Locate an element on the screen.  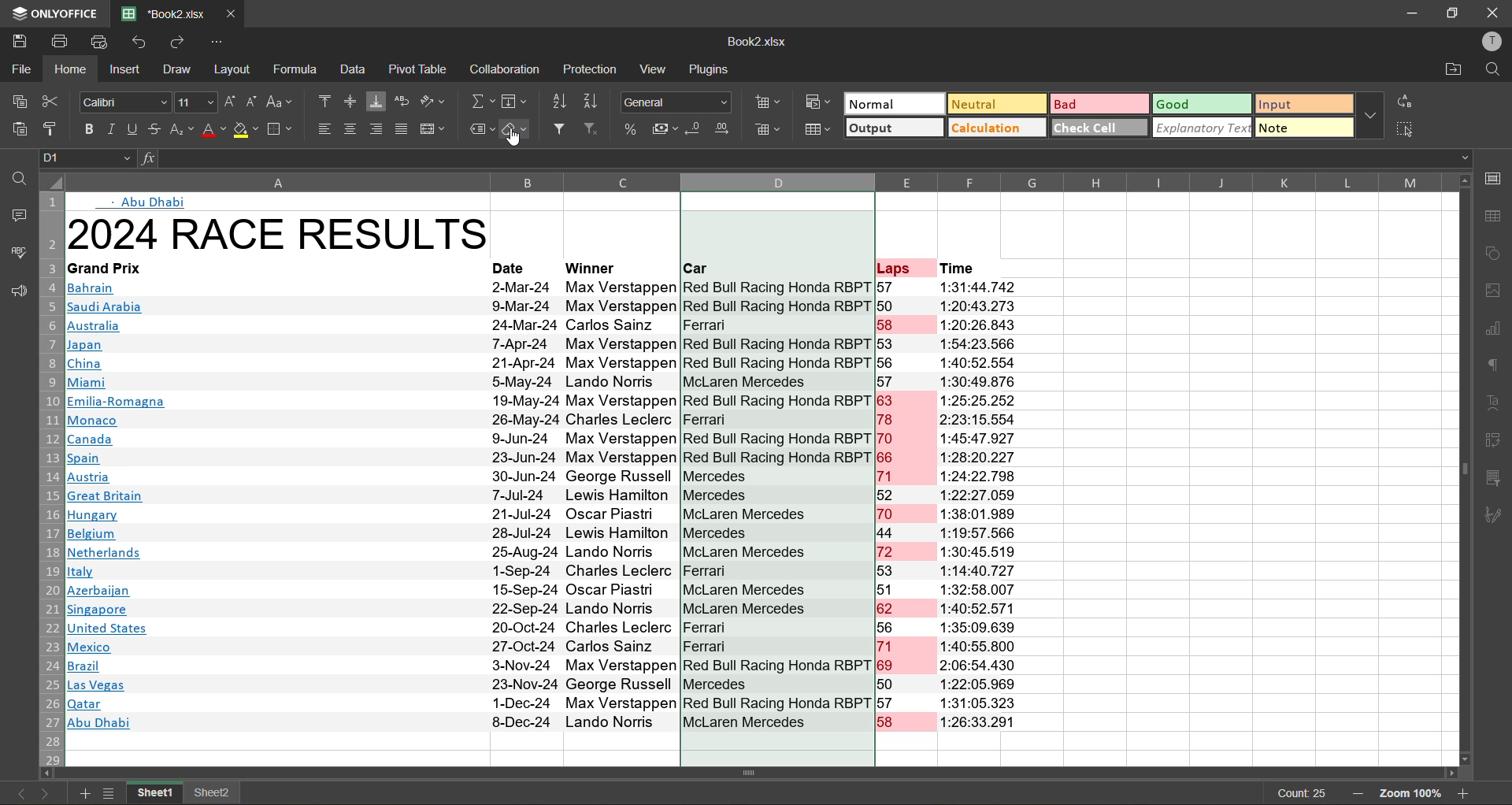
fill color is located at coordinates (247, 130).